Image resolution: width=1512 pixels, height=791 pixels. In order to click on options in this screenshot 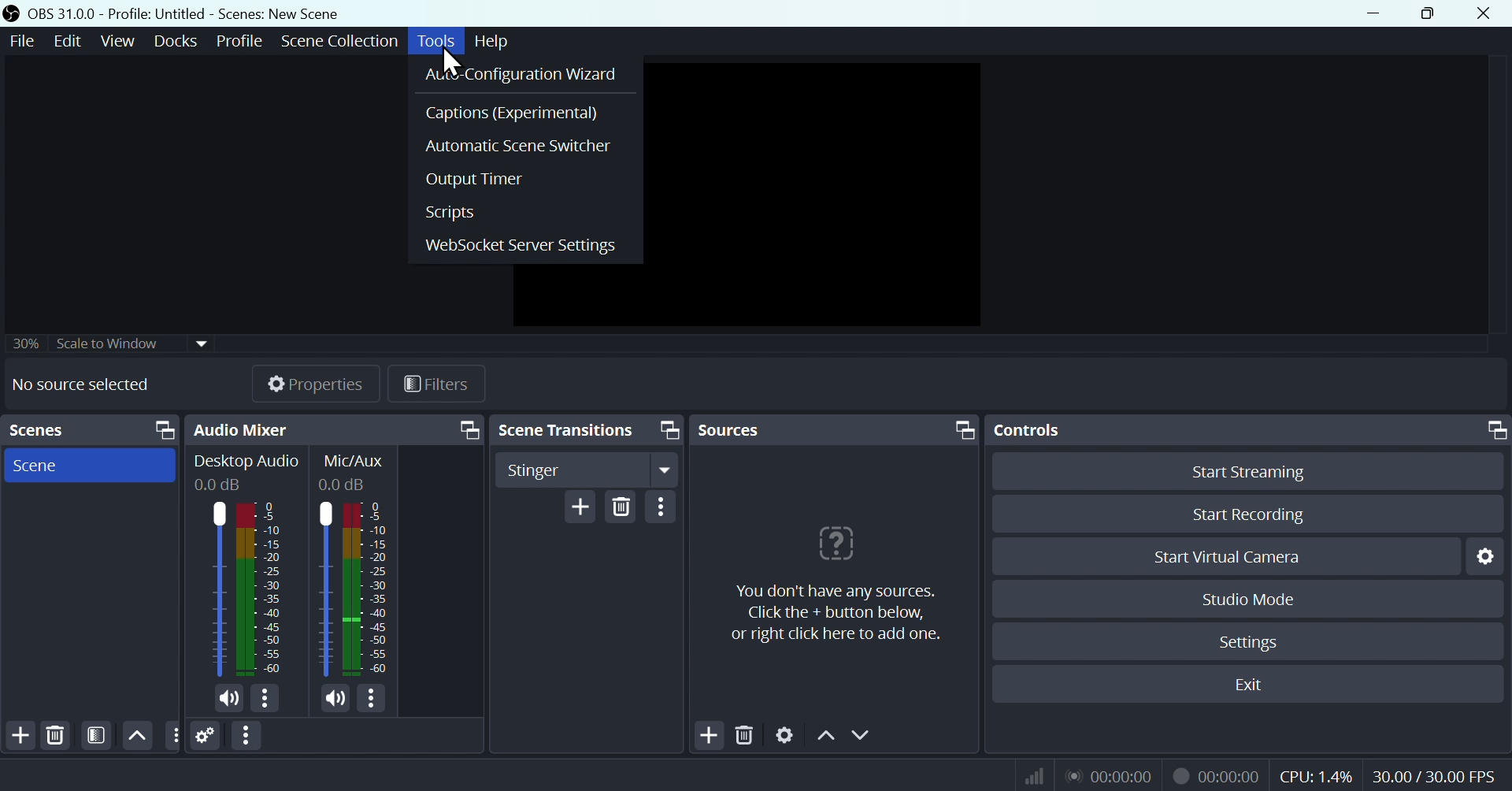, I will do `click(172, 734)`.